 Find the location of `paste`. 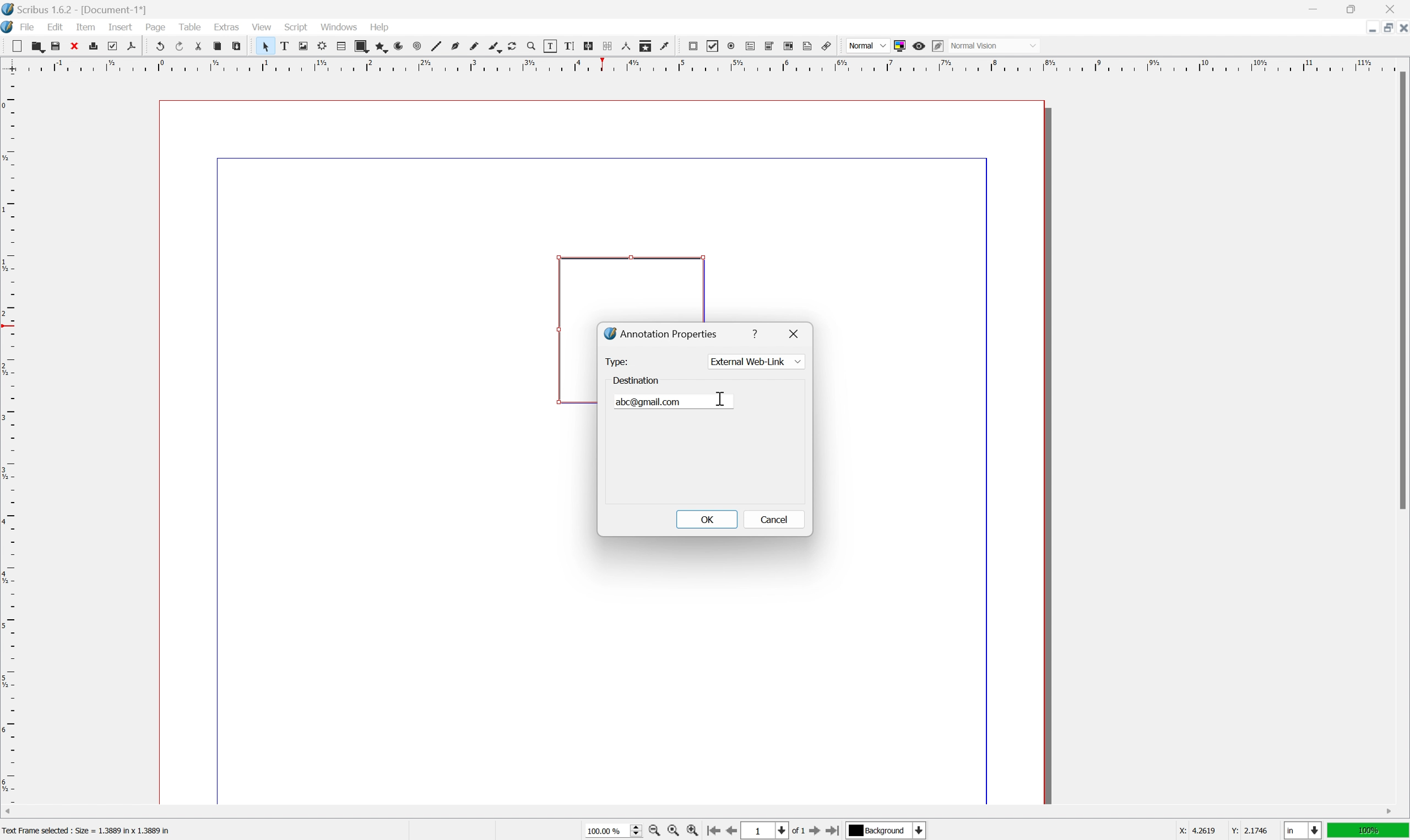

paste is located at coordinates (236, 46).